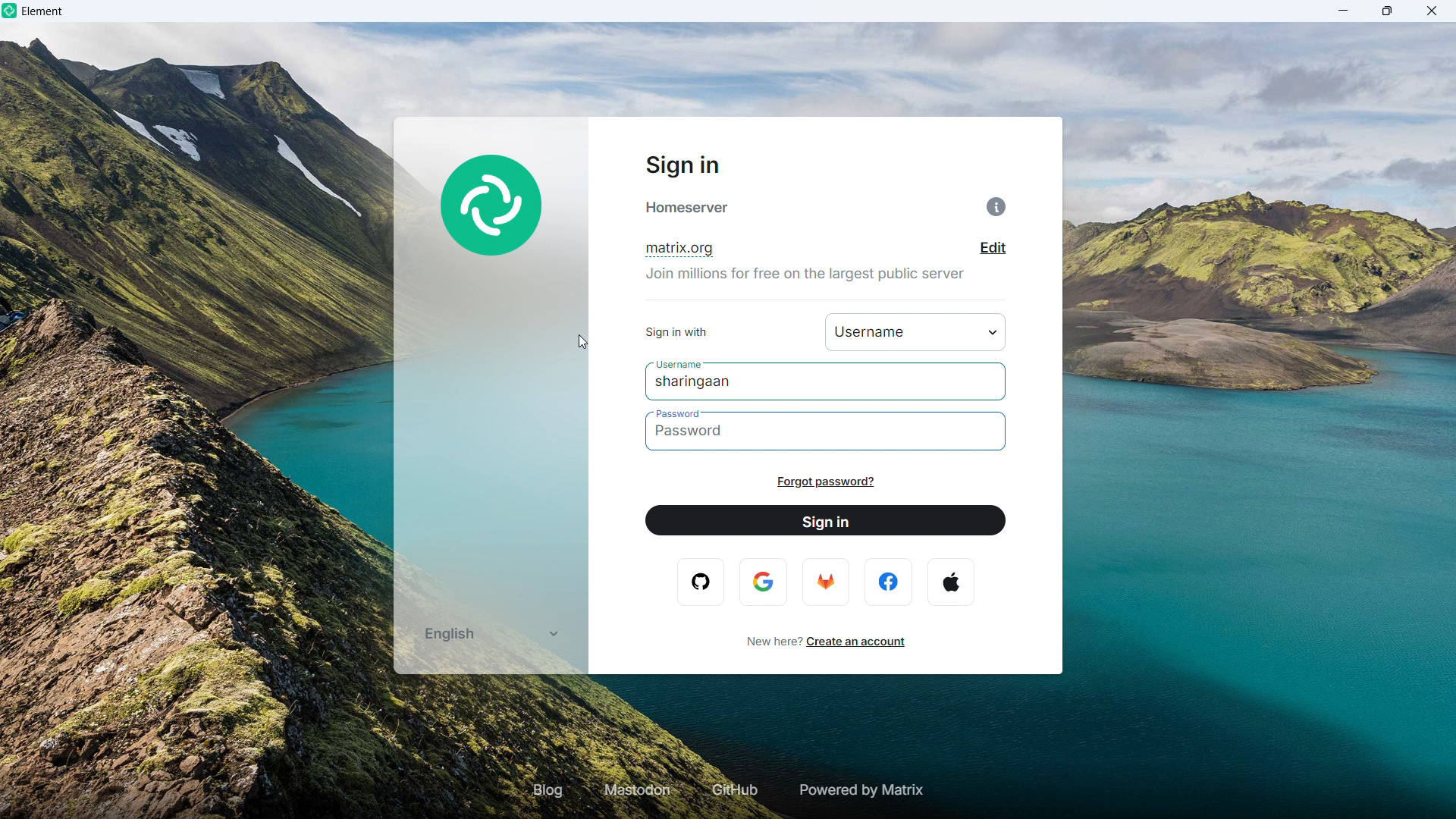 Image resolution: width=1456 pixels, height=819 pixels. What do you see at coordinates (854, 642) in the screenshot?
I see `Create an account ` at bounding box center [854, 642].